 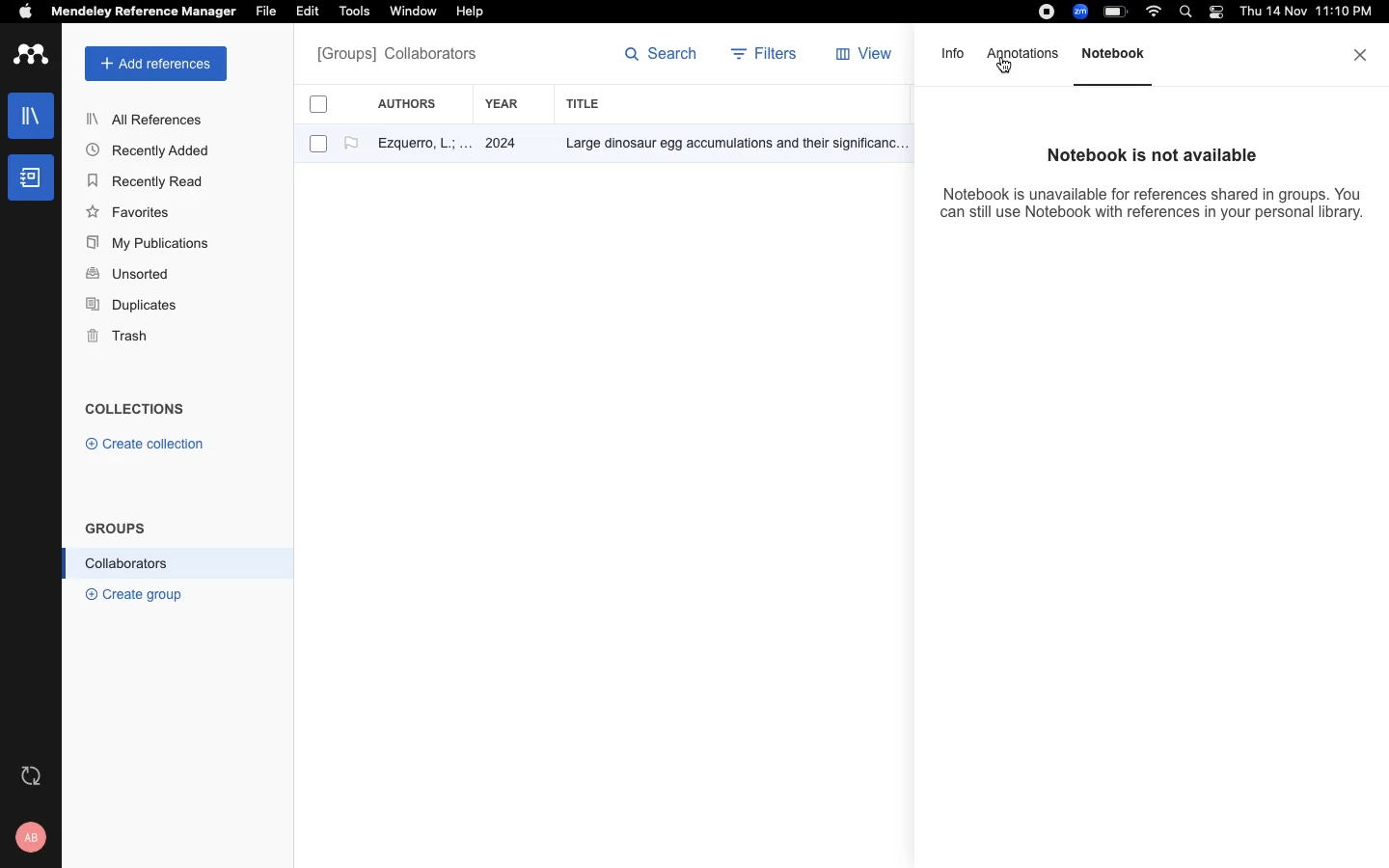 I want to click on apple logo, so click(x=26, y=14).